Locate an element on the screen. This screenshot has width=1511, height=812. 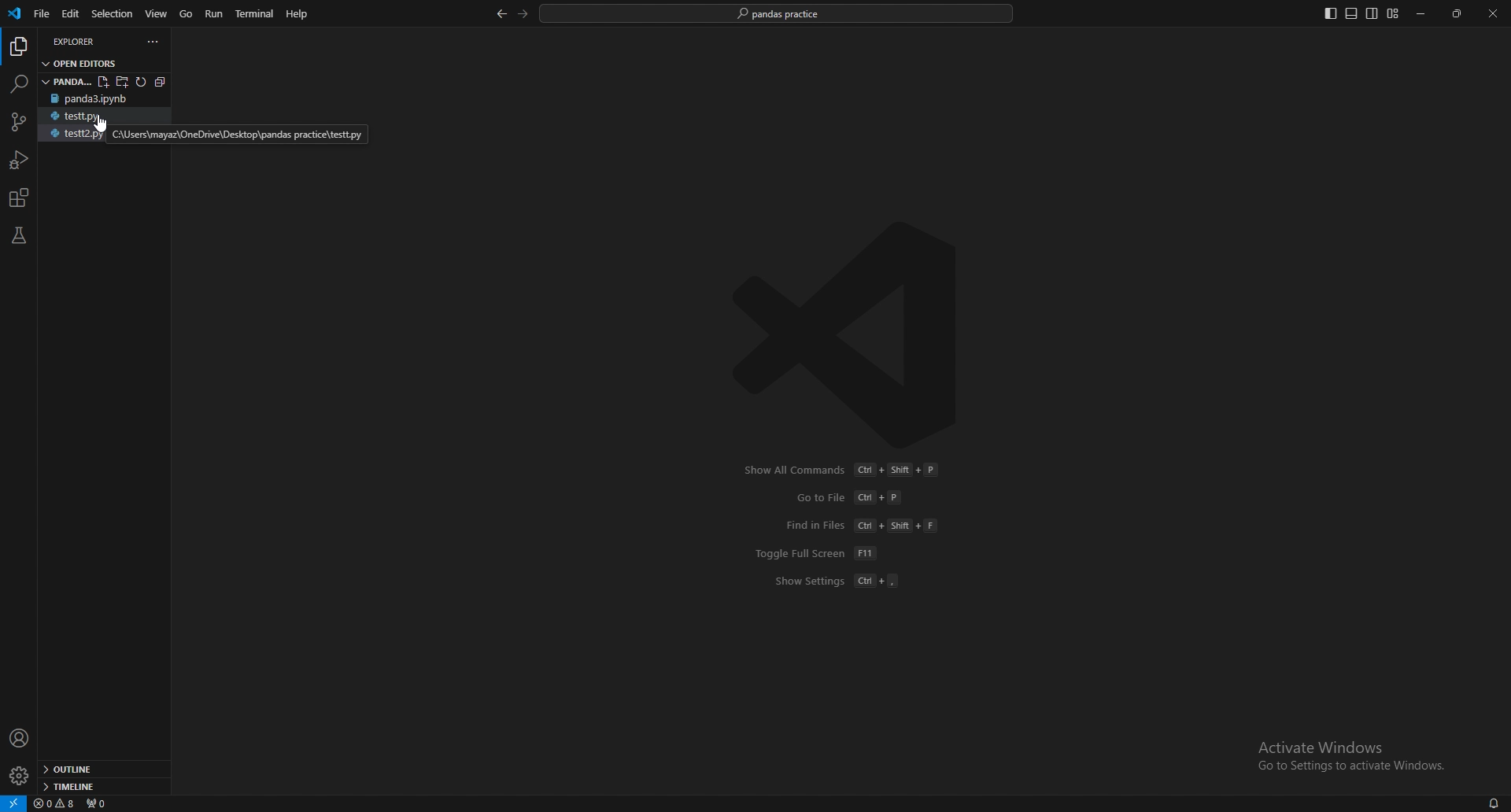
more actions is located at coordinates (153, 42).